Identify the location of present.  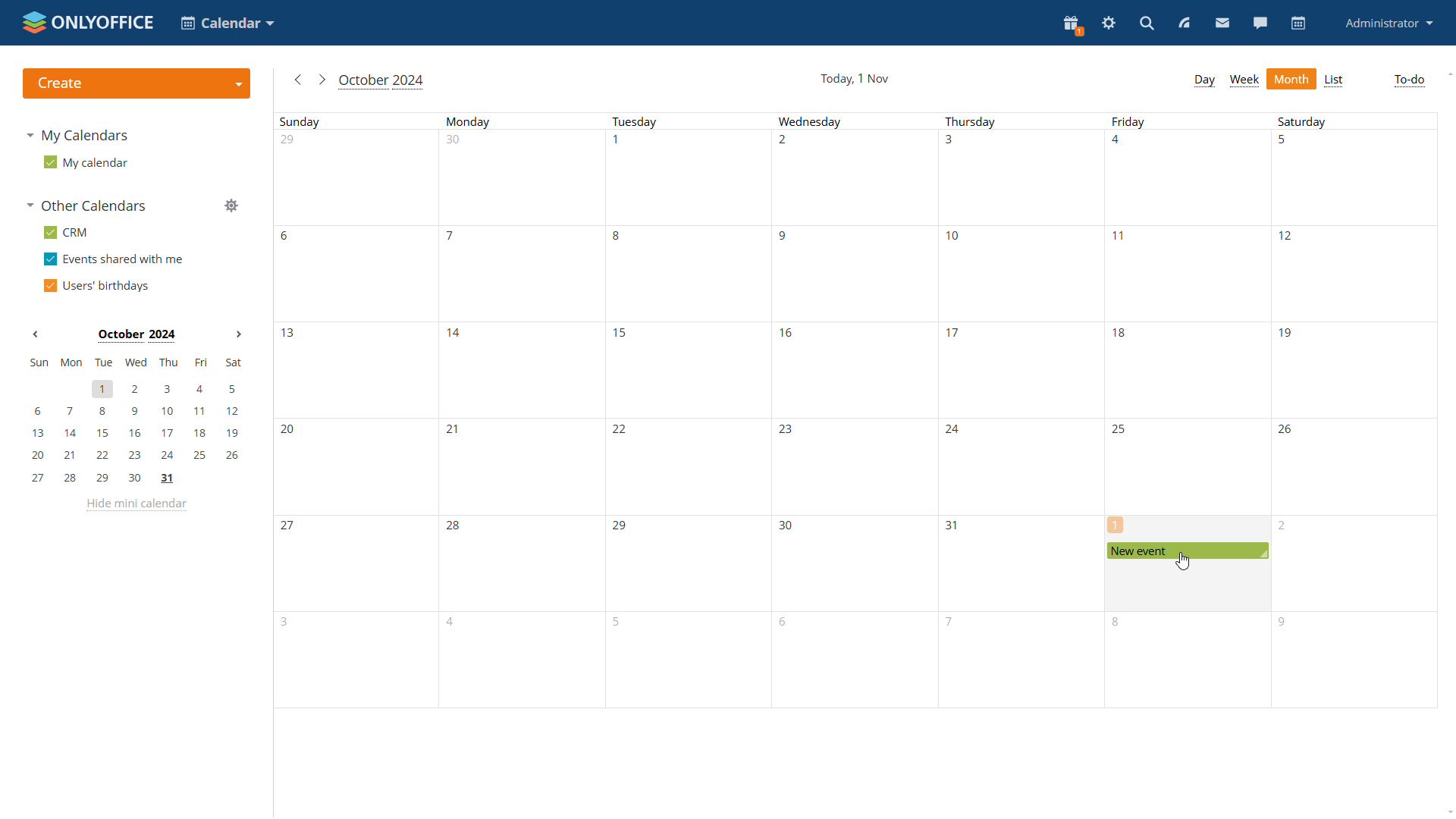
(1072, 24).